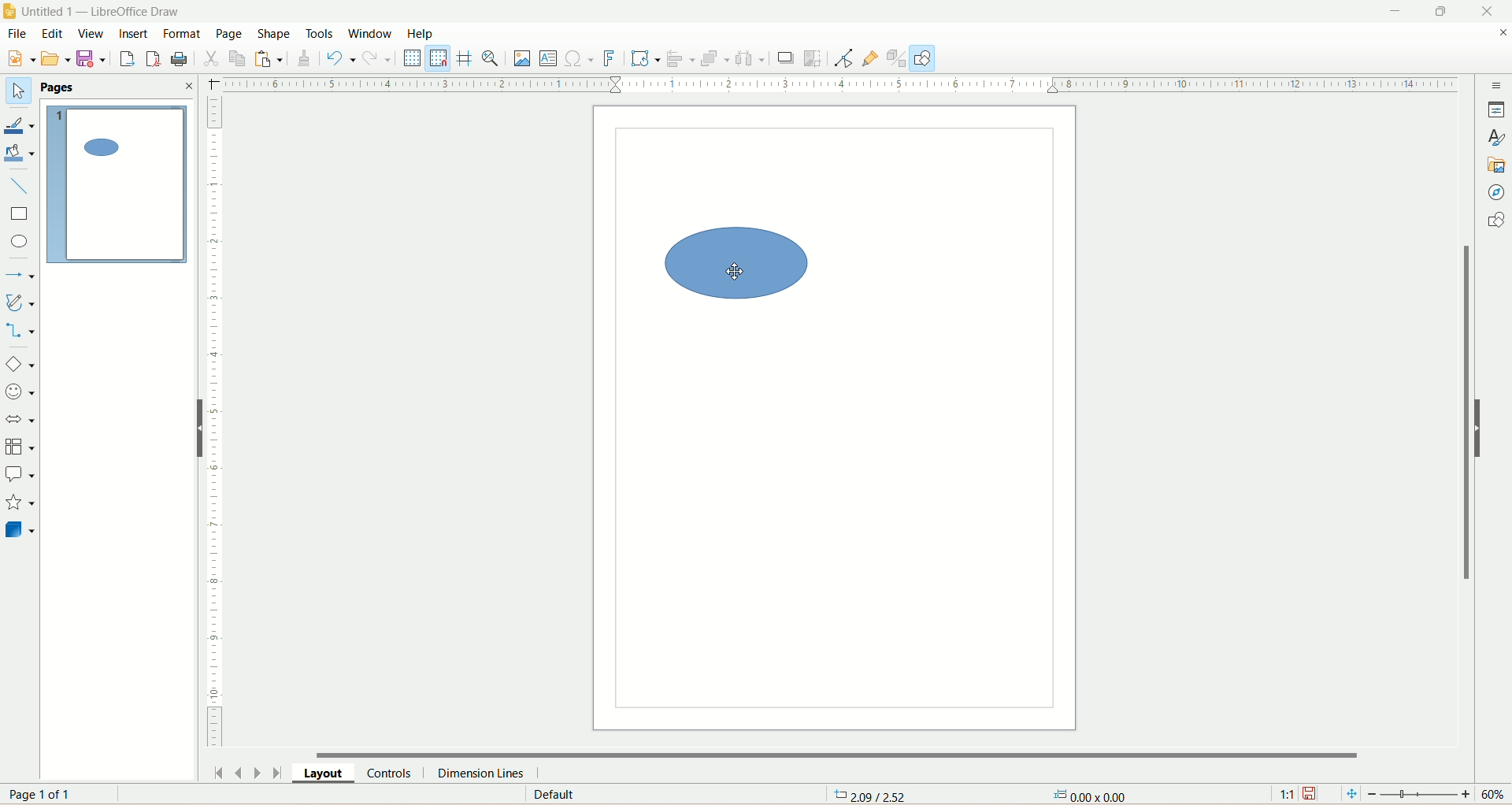 The width and height of the screenshot is (1512, 805). What do you see at coordinates (21, 529) in the screenshot?
I see `3D shapes` at bounding box center [21, 529].